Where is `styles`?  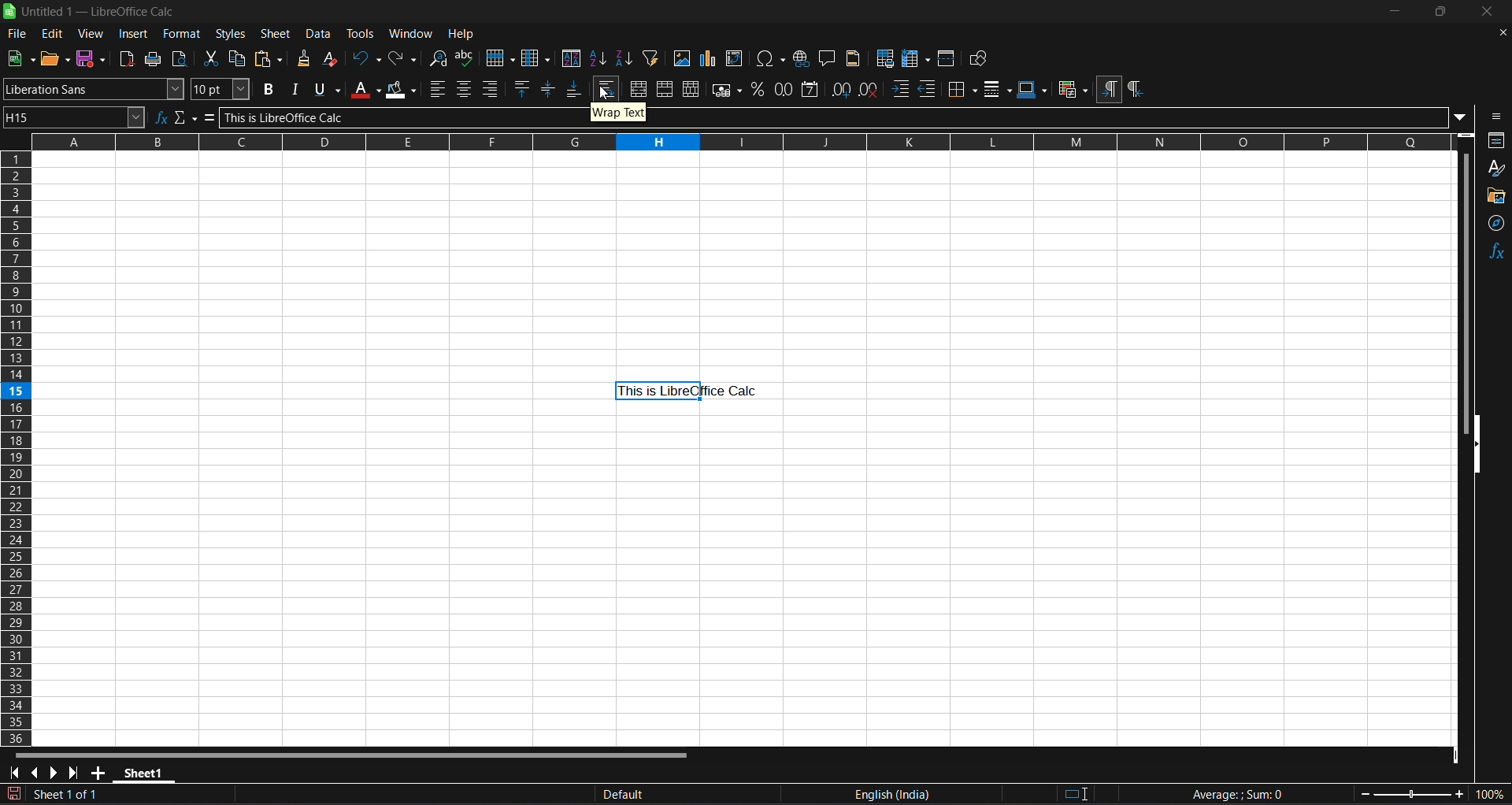 styles is located at coordinates (1496, 165).